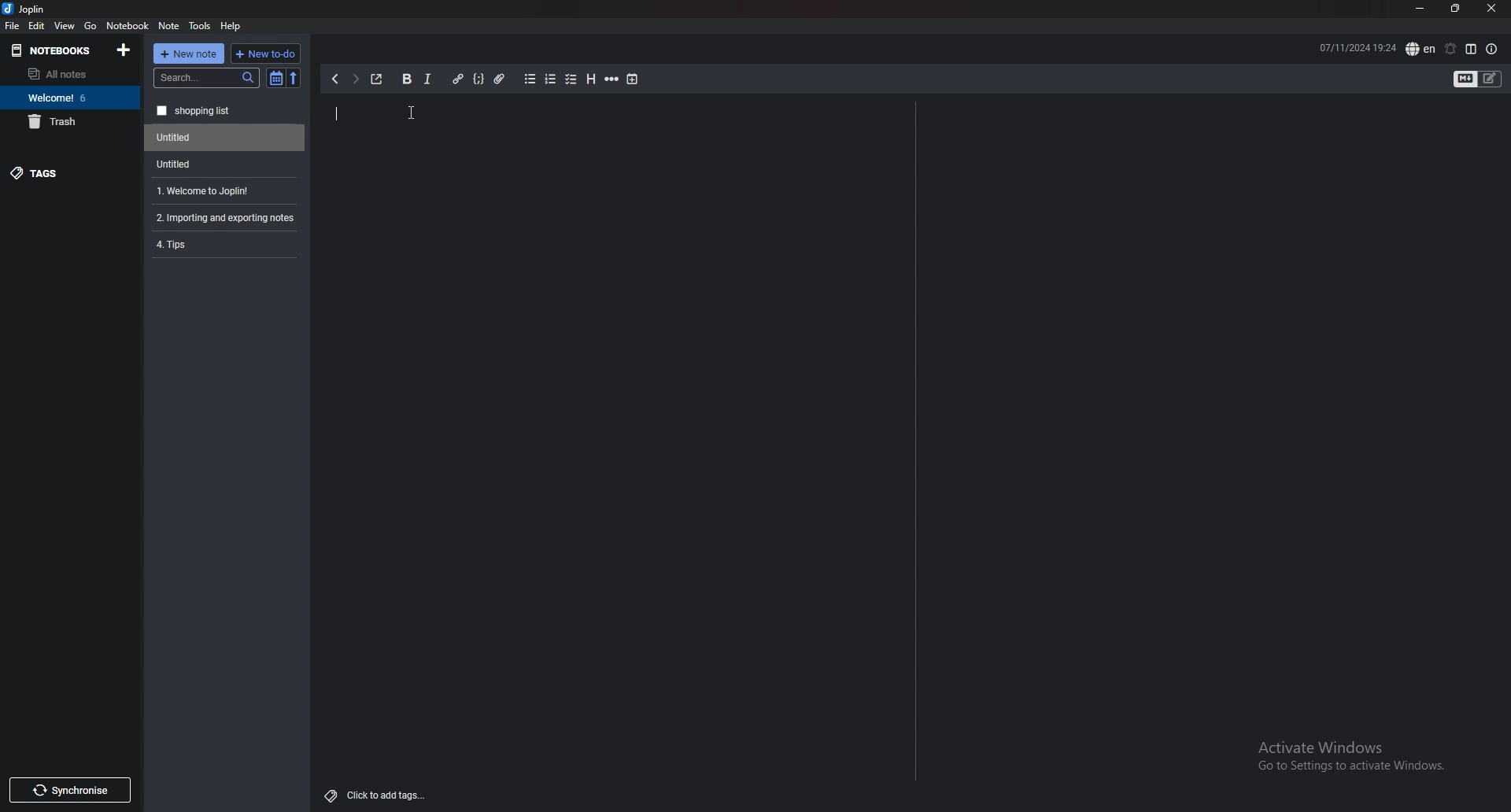 Image resolution: width=1511 pixels, height=812 pixels. Describe the element at coordinates (427, 79) in the screenshot. I see `italic` at that location.